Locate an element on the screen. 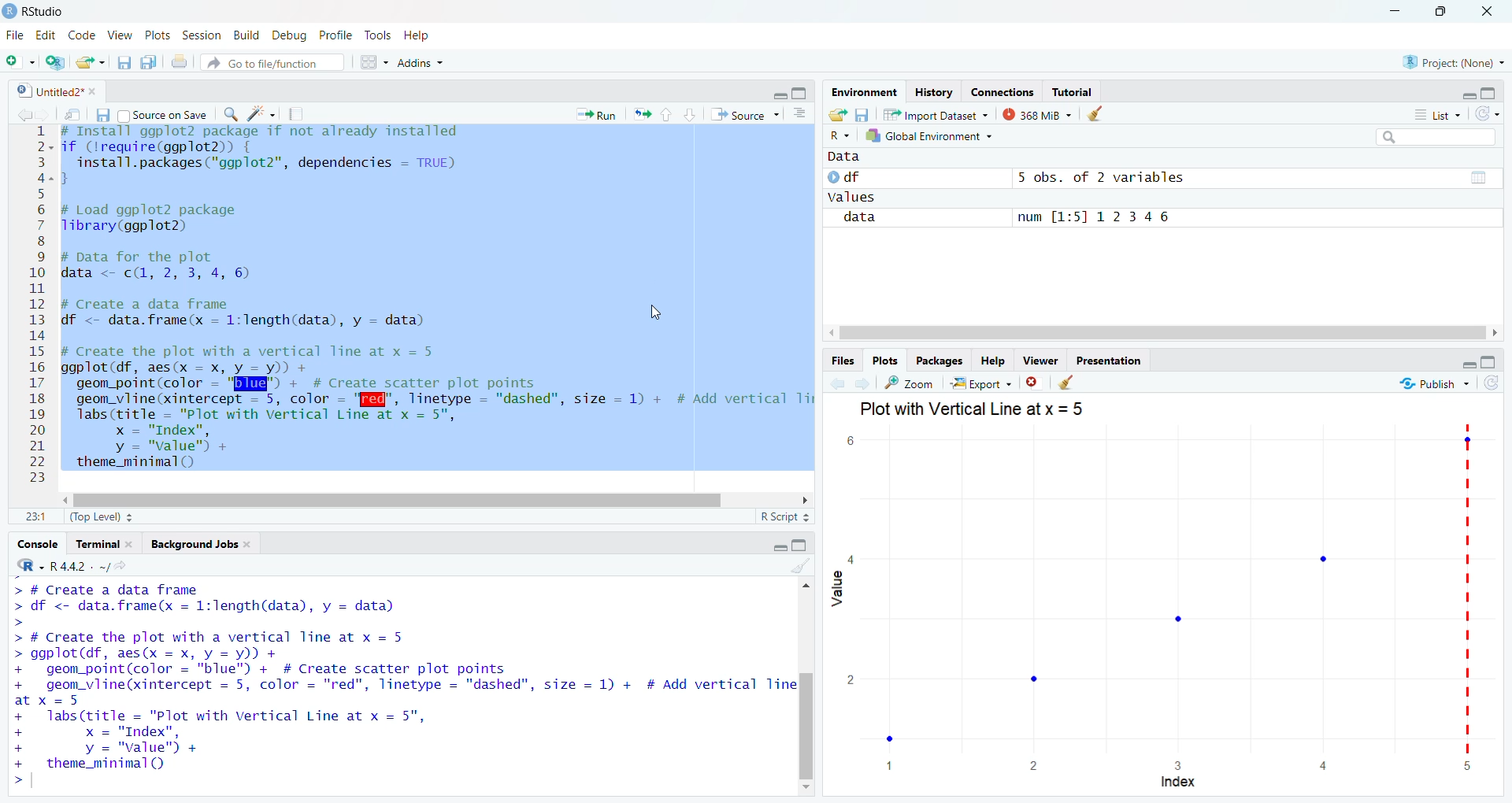 The height and width of the screenshot is (803, 1512). options is located at coordinates (799, 115).